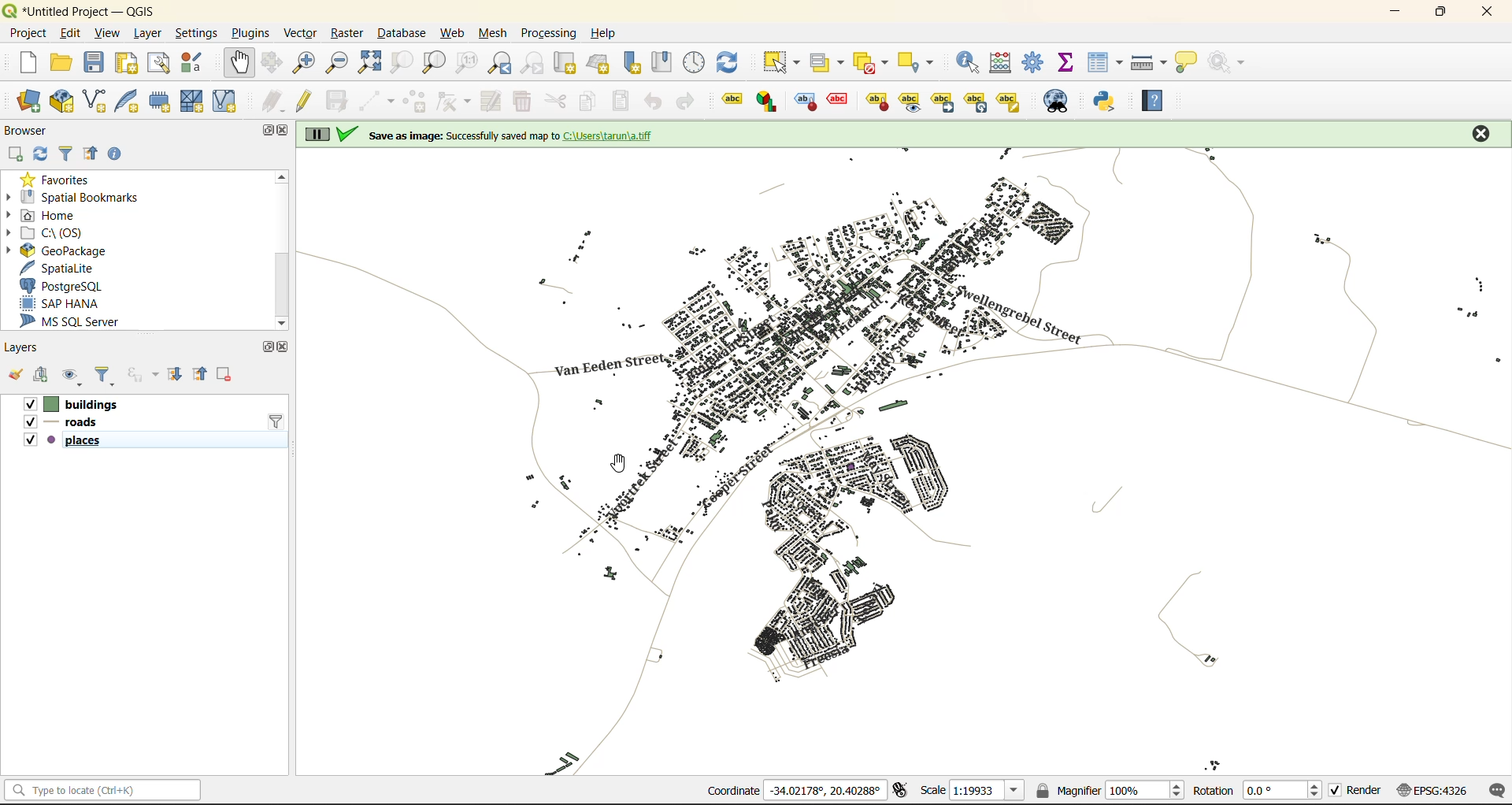  Describe the element at coordinates (280, 347) in the screenshot. I see `close` at that location.